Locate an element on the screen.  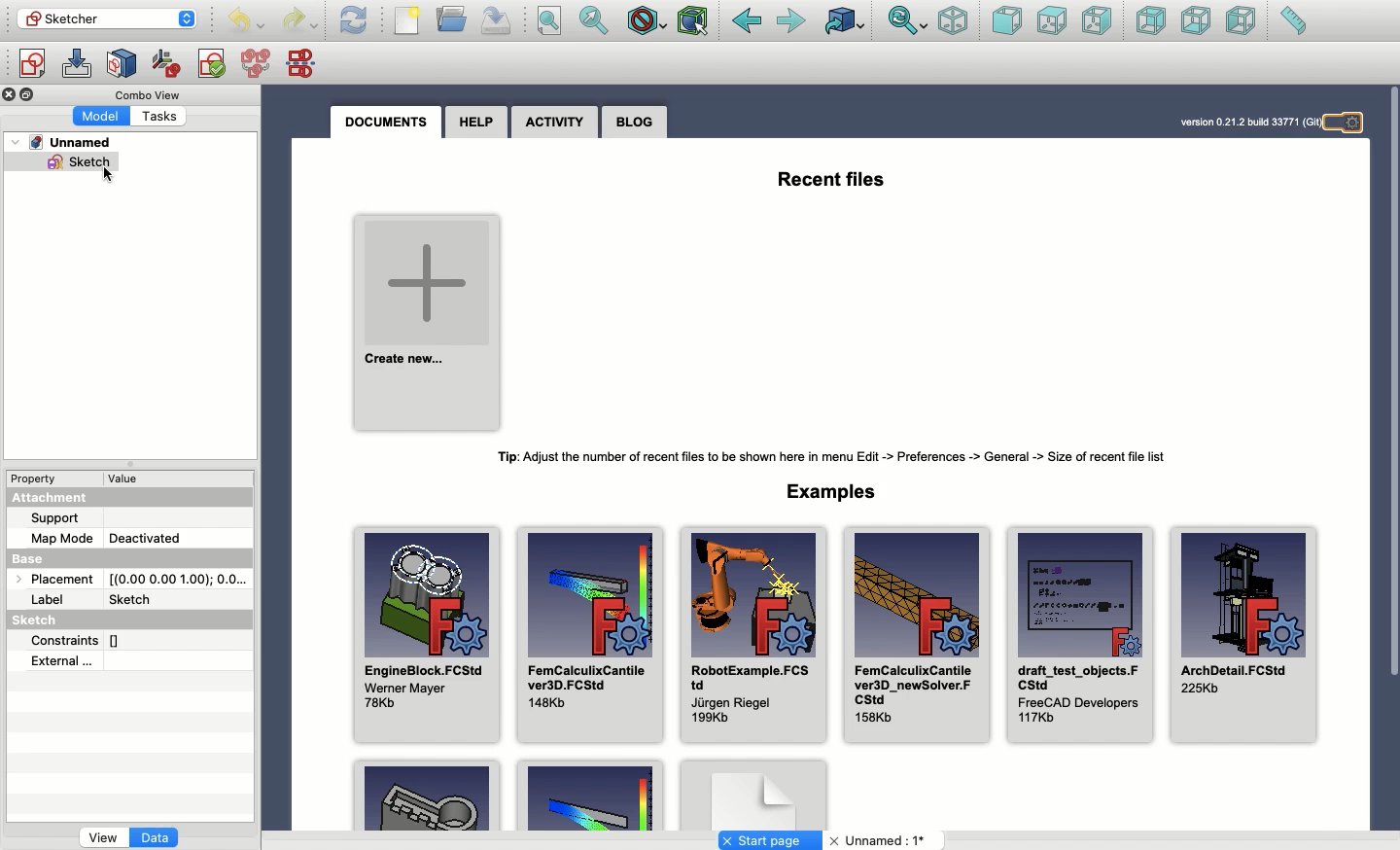
FemCalculixCantile is located at coordinates (589, 632).